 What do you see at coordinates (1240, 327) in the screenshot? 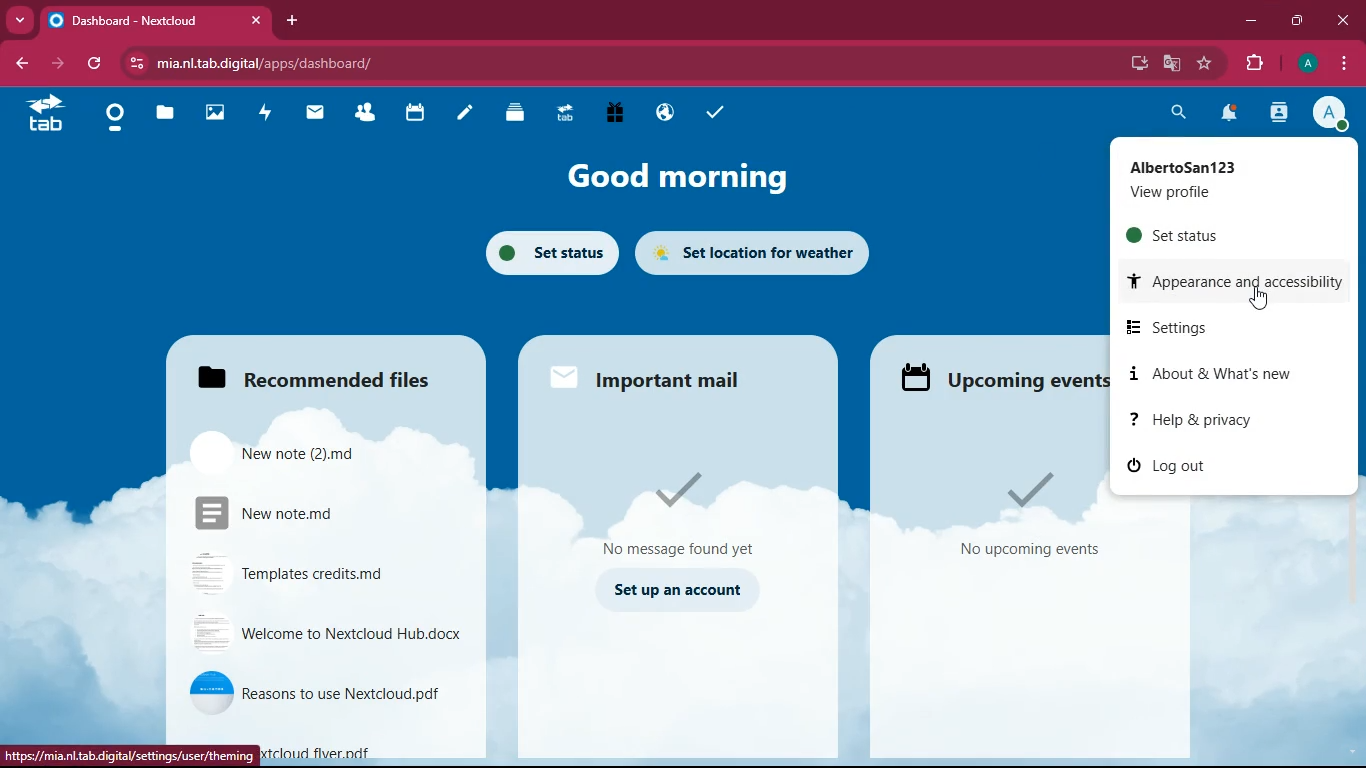
I see `settings` at bounding box center [1240, 327].